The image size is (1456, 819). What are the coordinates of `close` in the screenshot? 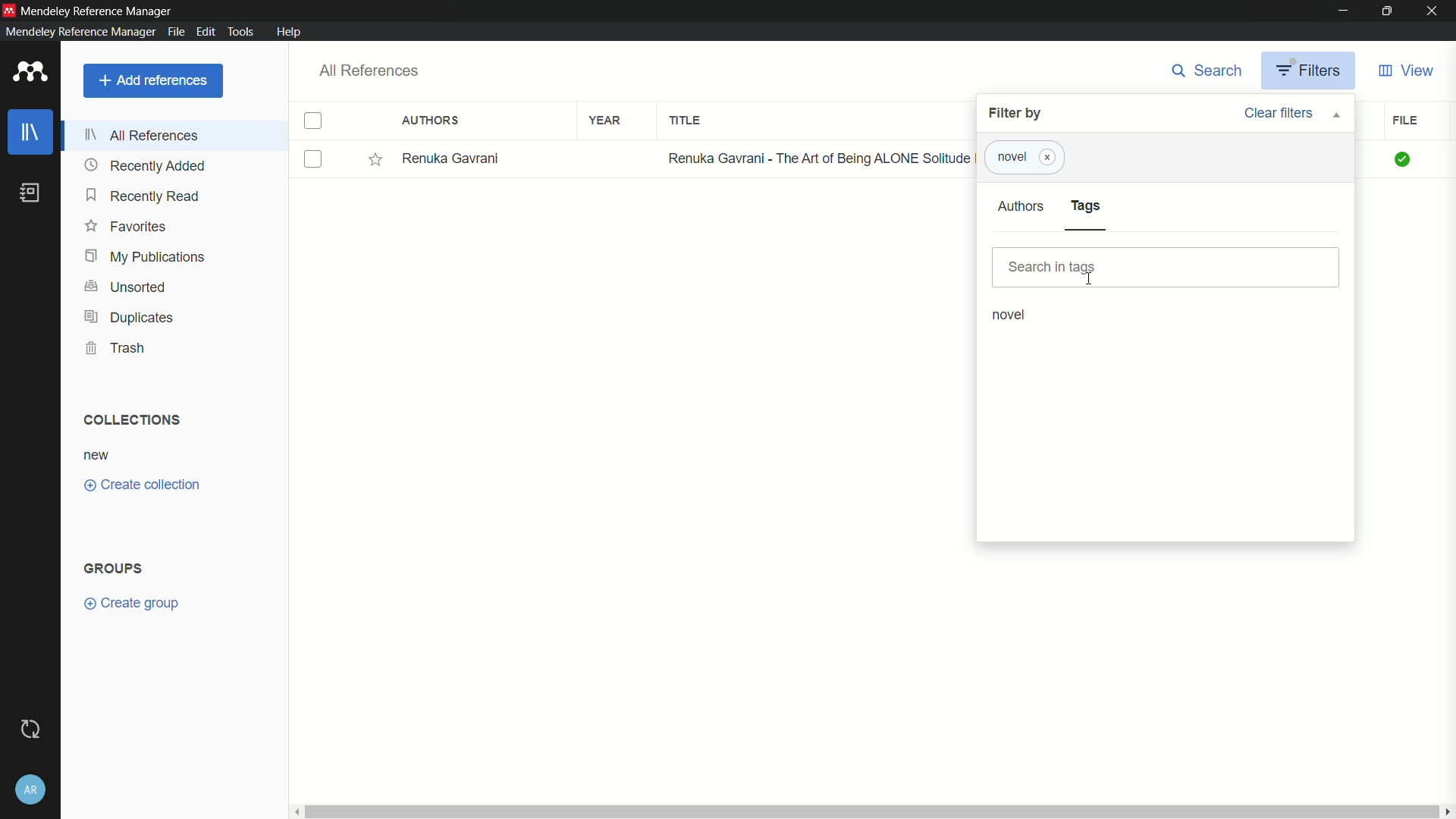 It's located at (1048, 158).